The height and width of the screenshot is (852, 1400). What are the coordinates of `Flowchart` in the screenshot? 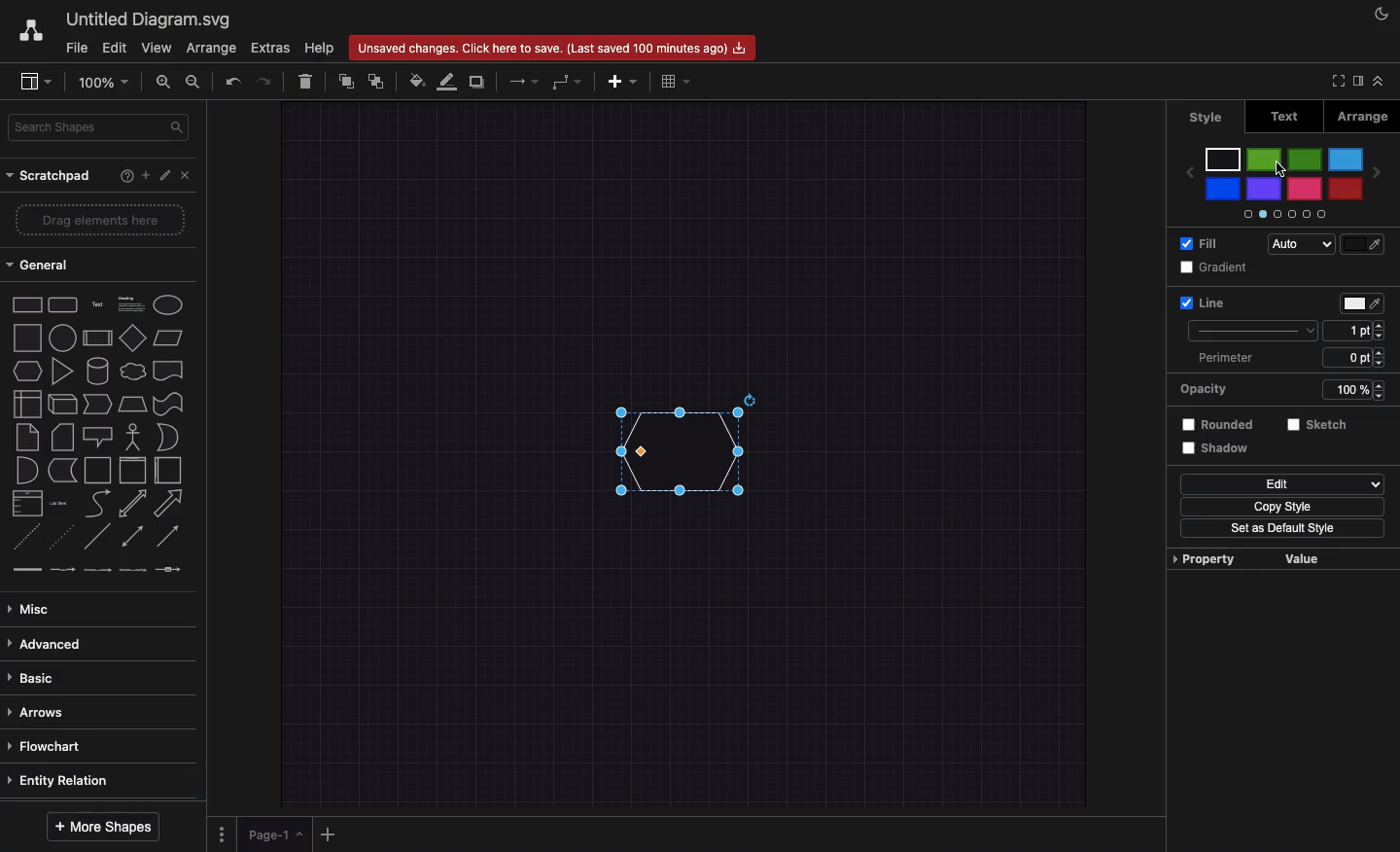 It's located at (48, 748).